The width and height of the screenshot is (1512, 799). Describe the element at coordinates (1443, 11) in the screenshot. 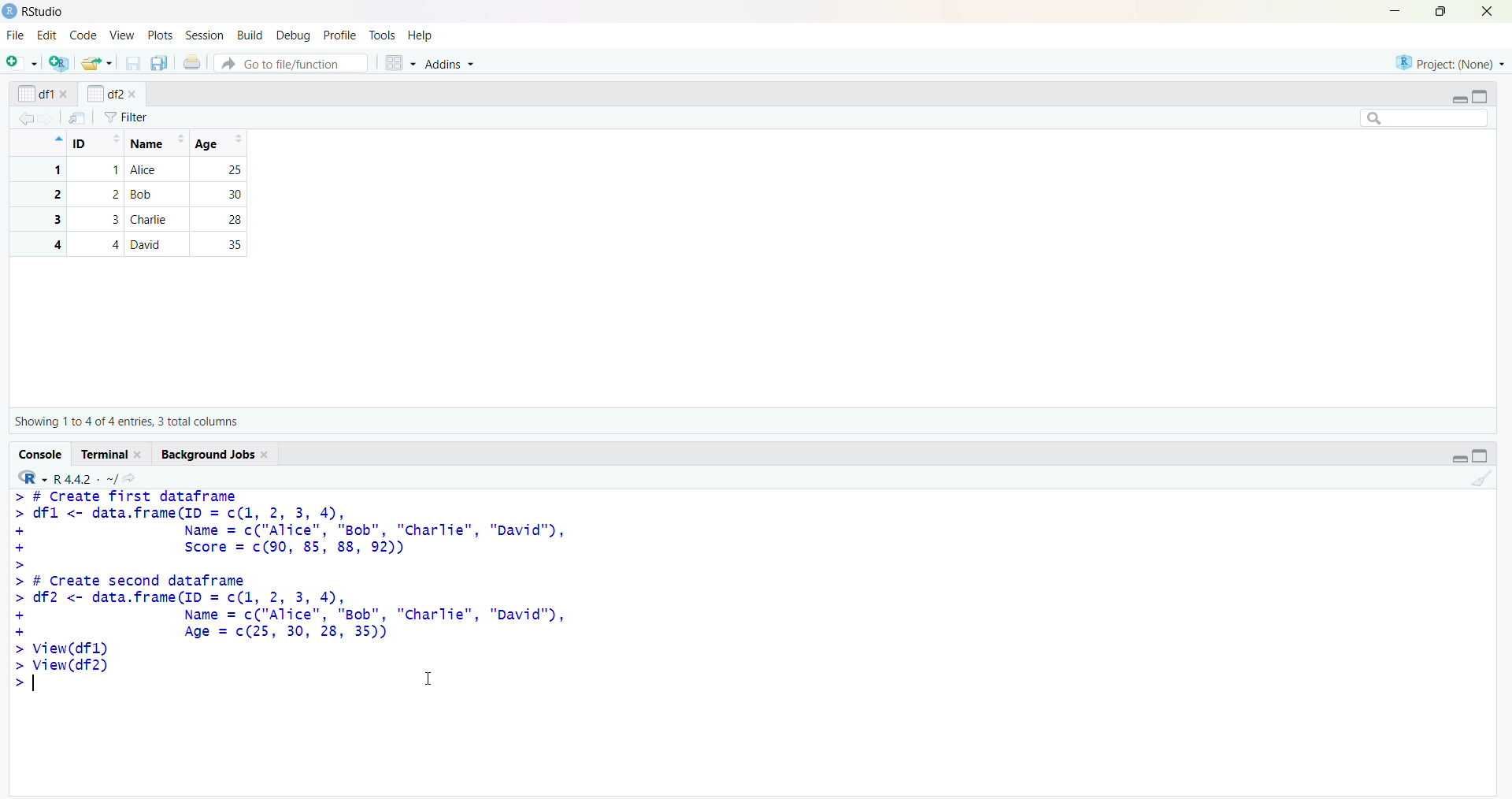

I see `maximize` at that location.